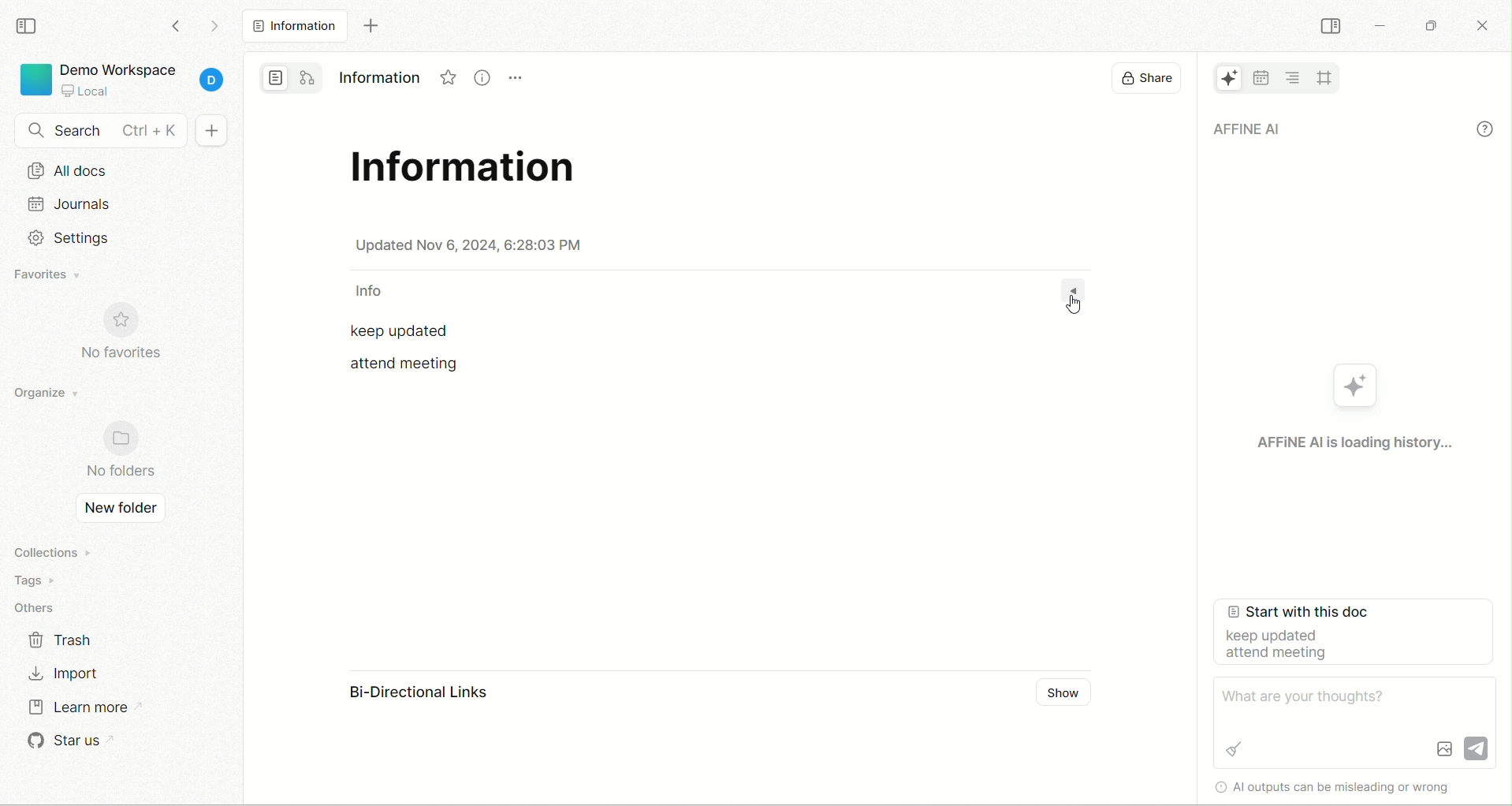  Describe the element at coordinates (1357, 384) in the screenshot. I see `AFFiNE AI` at that location.